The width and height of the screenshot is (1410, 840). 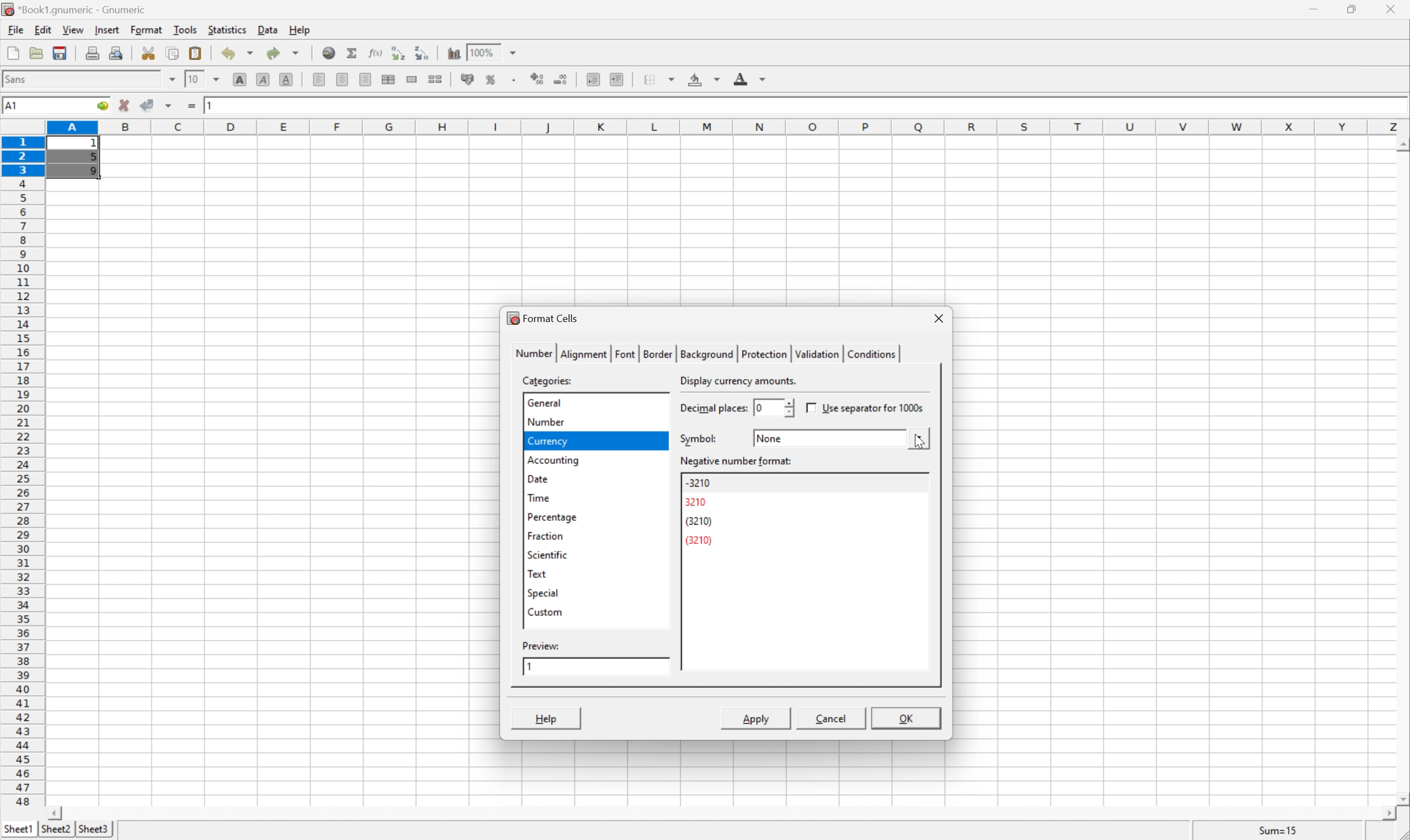 What do you see at coordinates (239, 55) in the screenshot?
I see `undo` at bounding box center [239, 55].